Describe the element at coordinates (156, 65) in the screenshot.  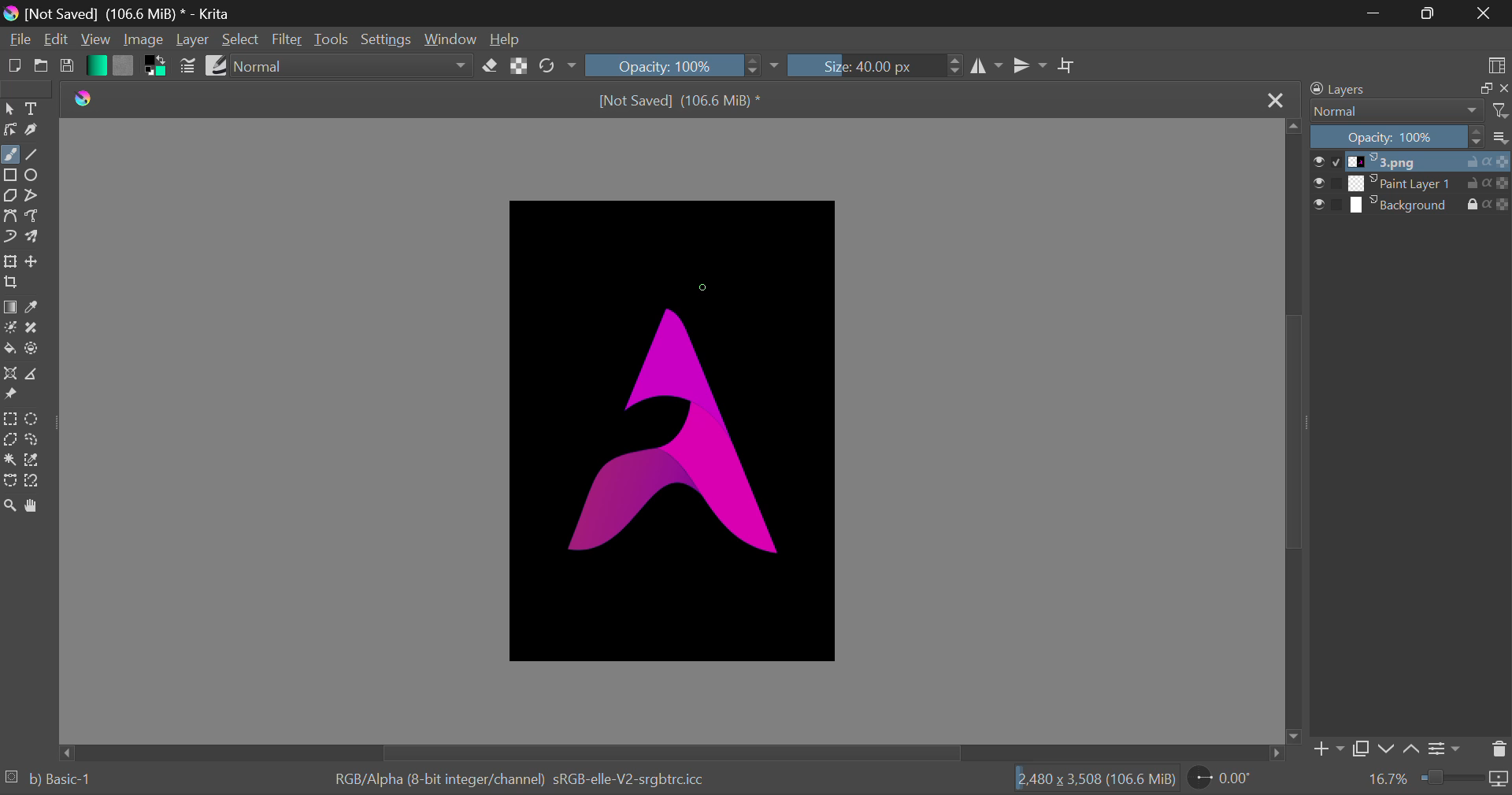
I see `Colors in Use` at that location.